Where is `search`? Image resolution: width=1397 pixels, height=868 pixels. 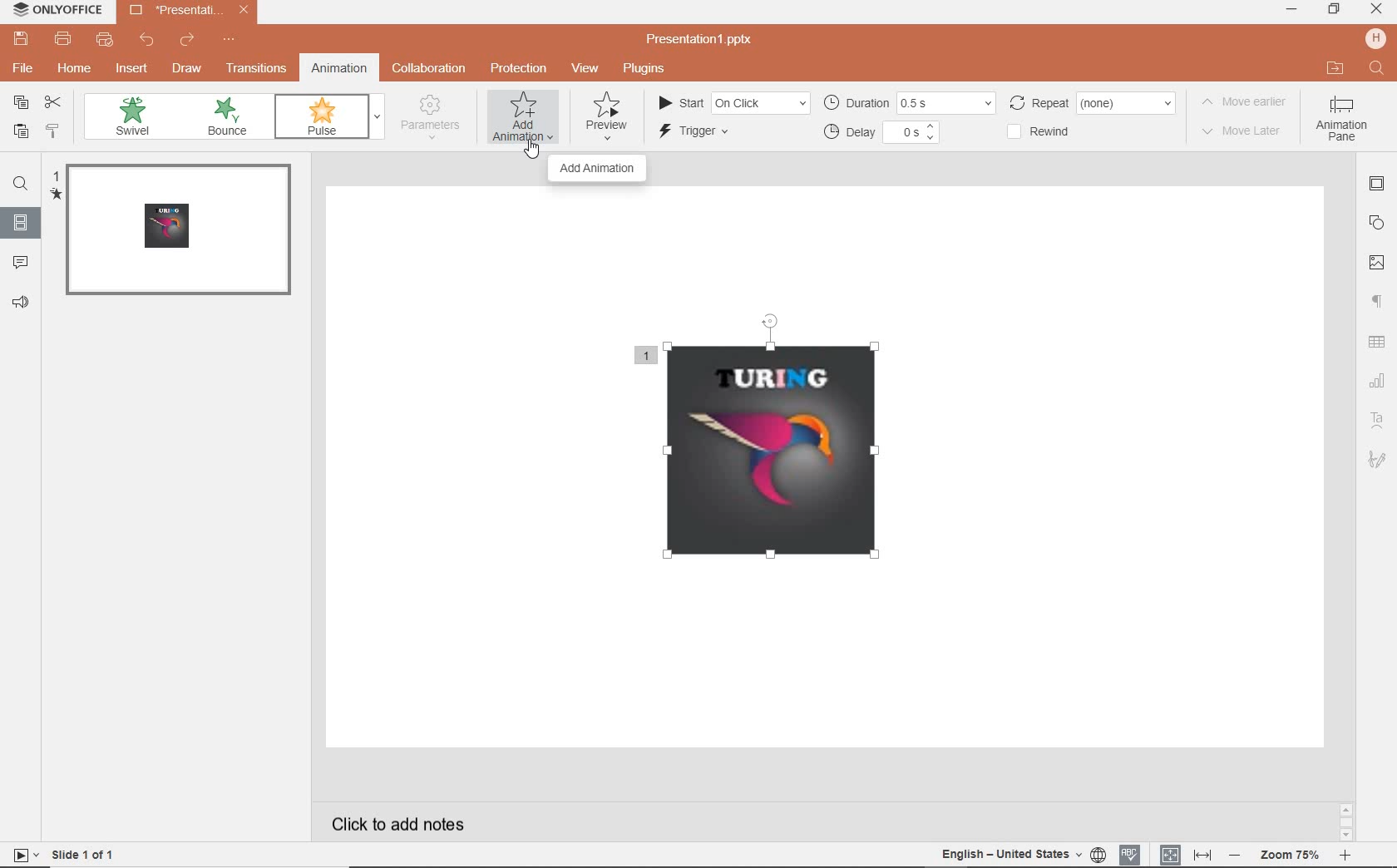 search is located at coordinates (1377, 67).